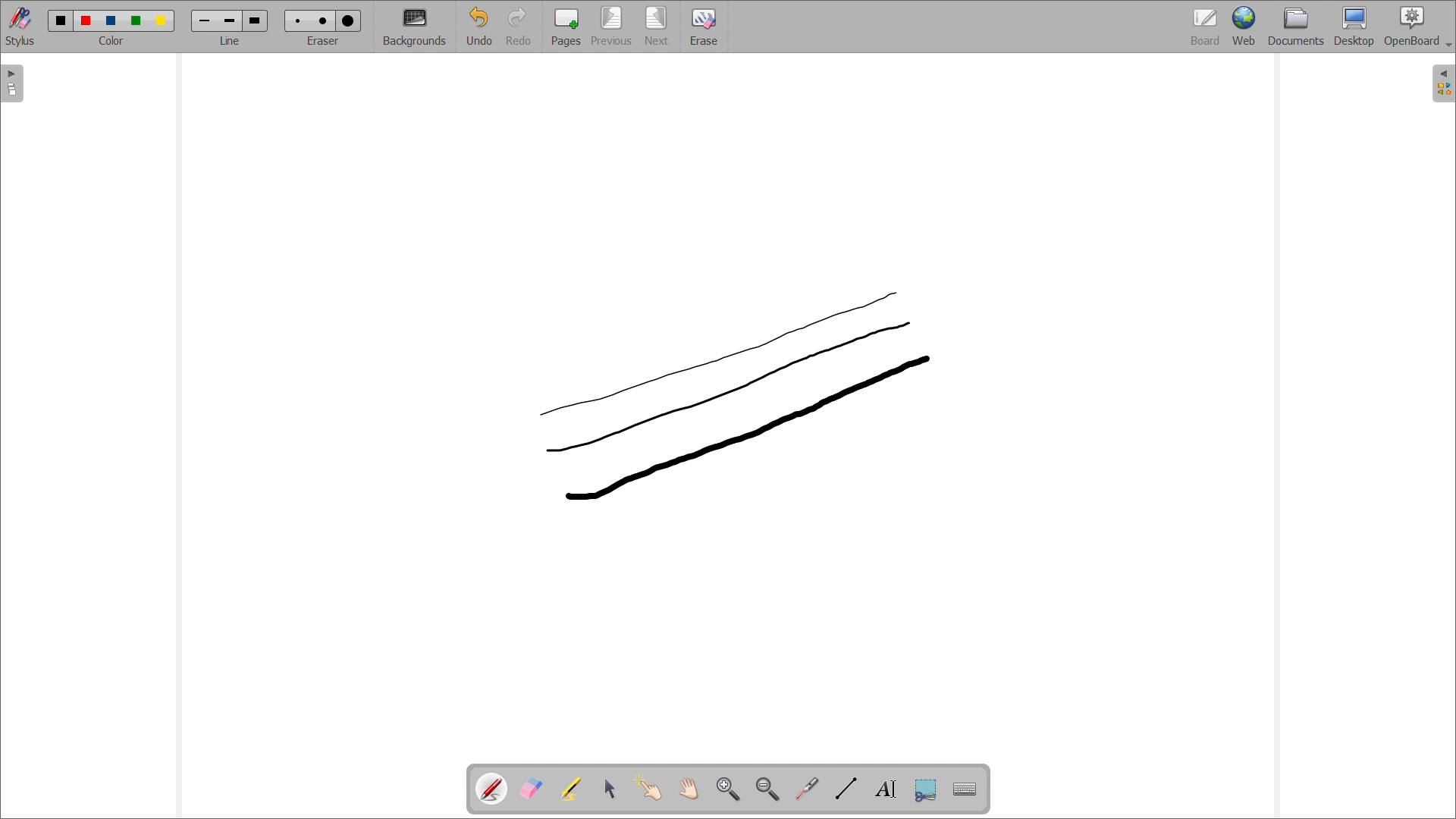  Describe the element at coordinates (1204, 27) in the screenshot. I see `board` at that location.